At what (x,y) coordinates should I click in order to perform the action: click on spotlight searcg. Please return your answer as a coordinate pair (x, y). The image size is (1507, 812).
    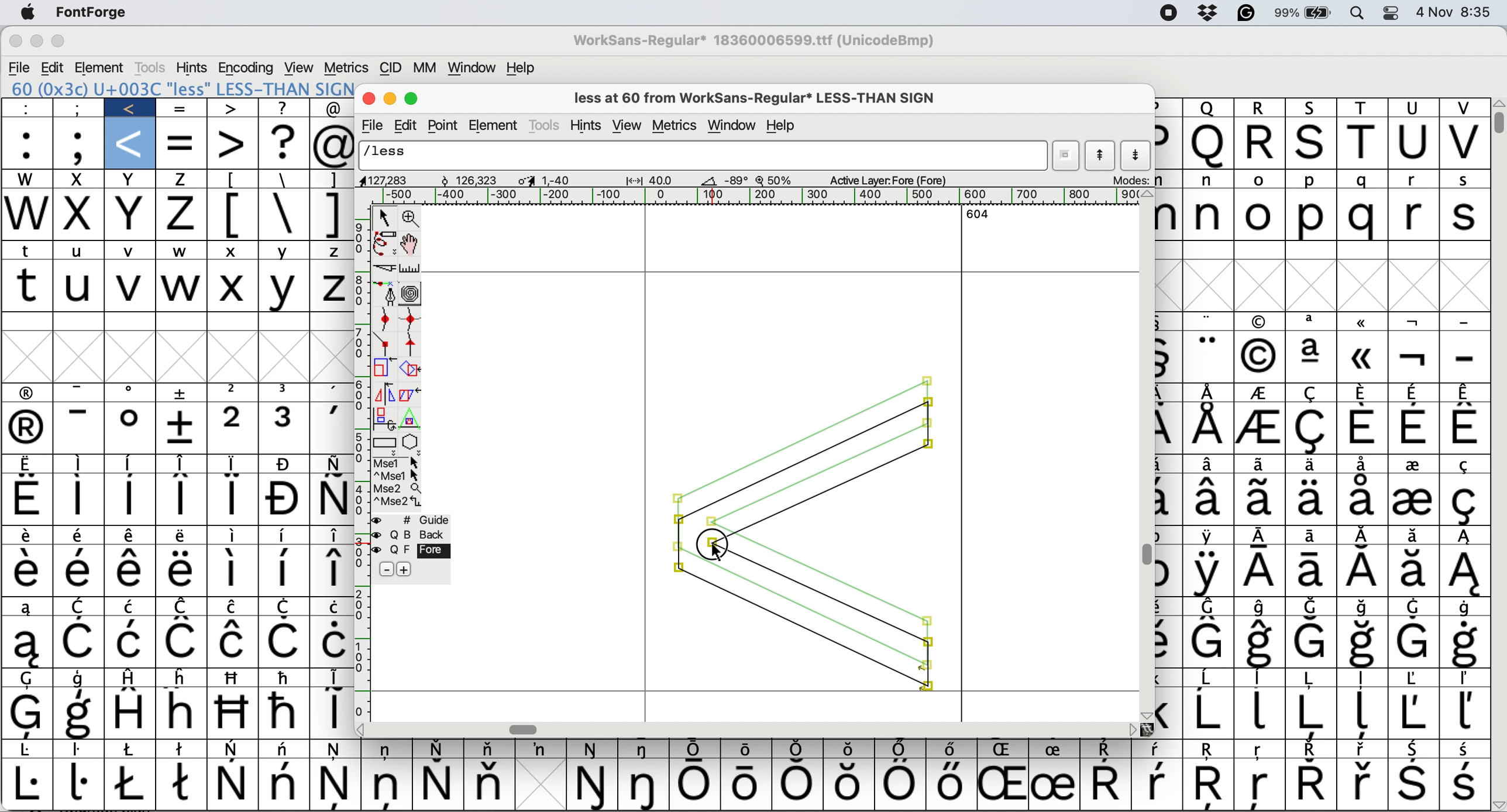
    Looking at the image, I should click on (1359, 15).